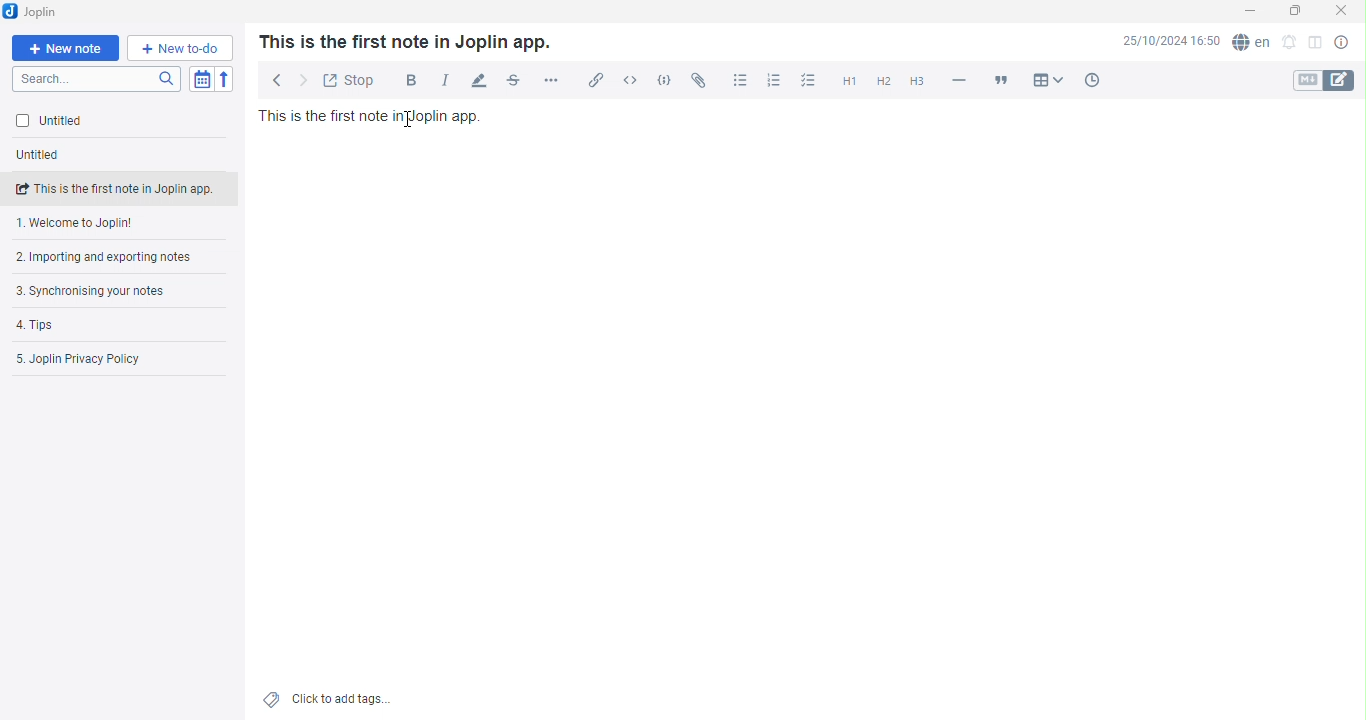  What do you see at coordinates (739, 79) in the screenshot?
I see `Bullet list` at bounding box center [739, 79].